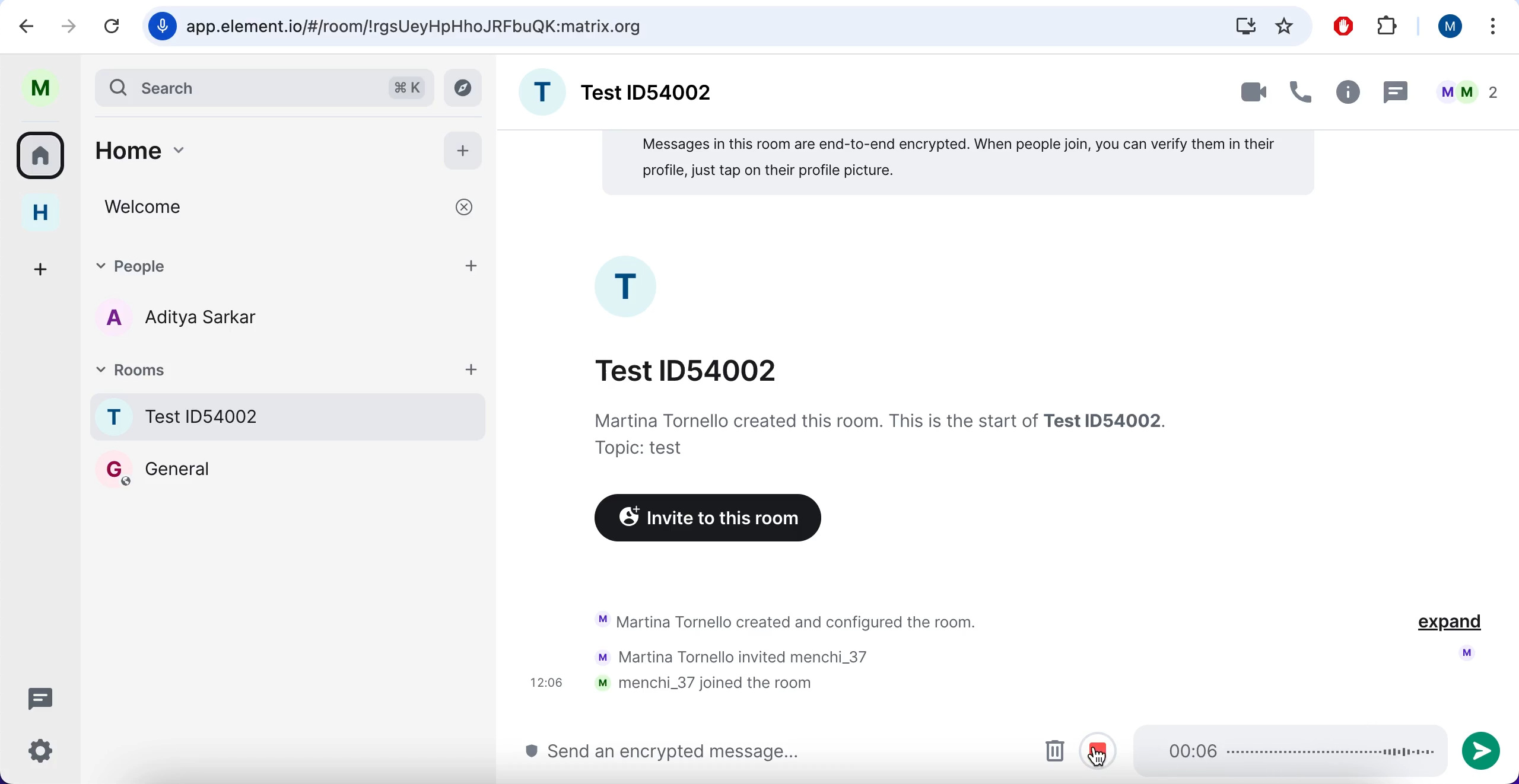 The height and width of the screenshot is (784, 1519). Describe the element at coordinates (1494, 26) in the screenshot. I see `list all tabs` at that location.